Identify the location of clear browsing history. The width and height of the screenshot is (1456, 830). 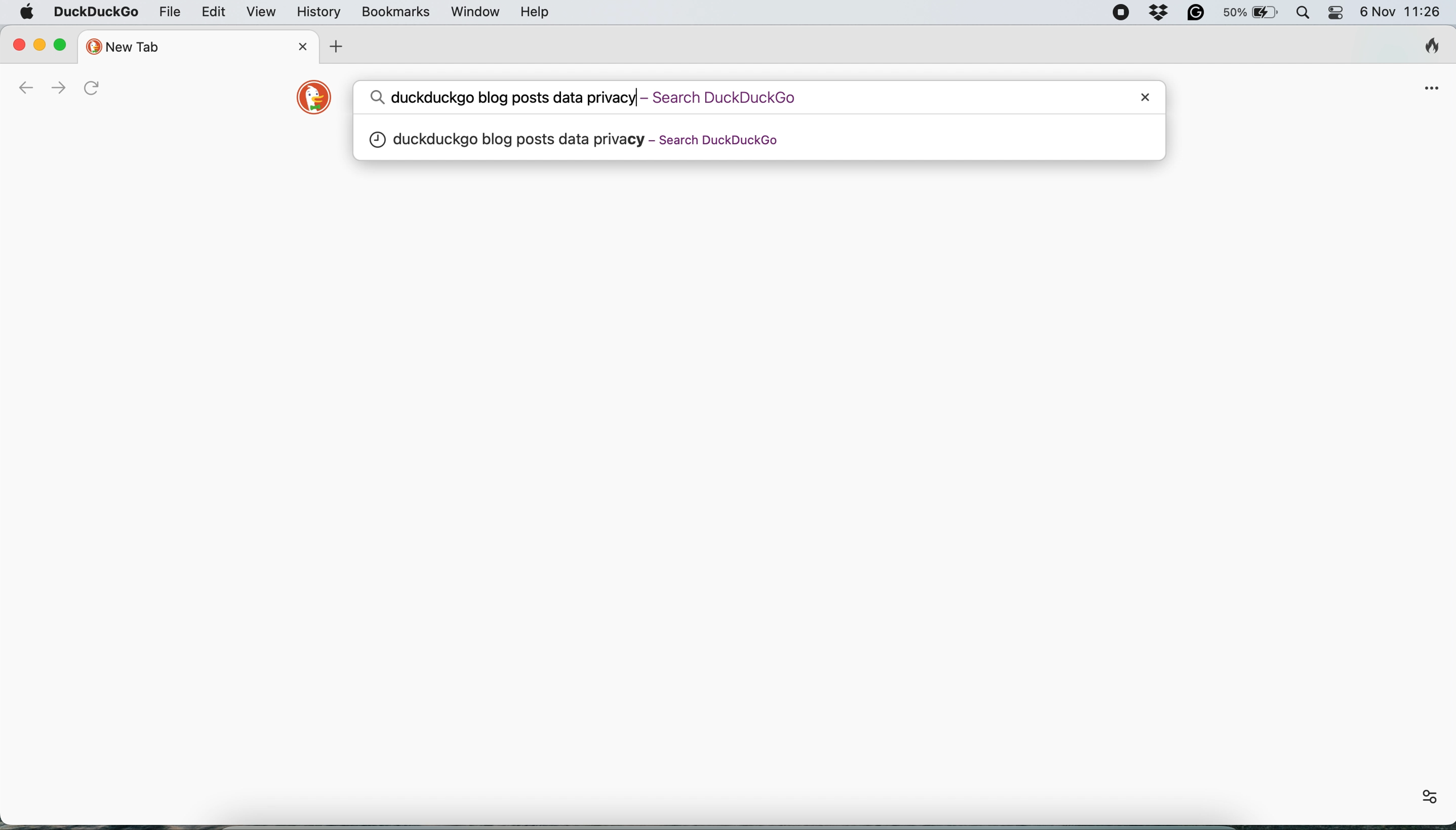
(1437, 48).